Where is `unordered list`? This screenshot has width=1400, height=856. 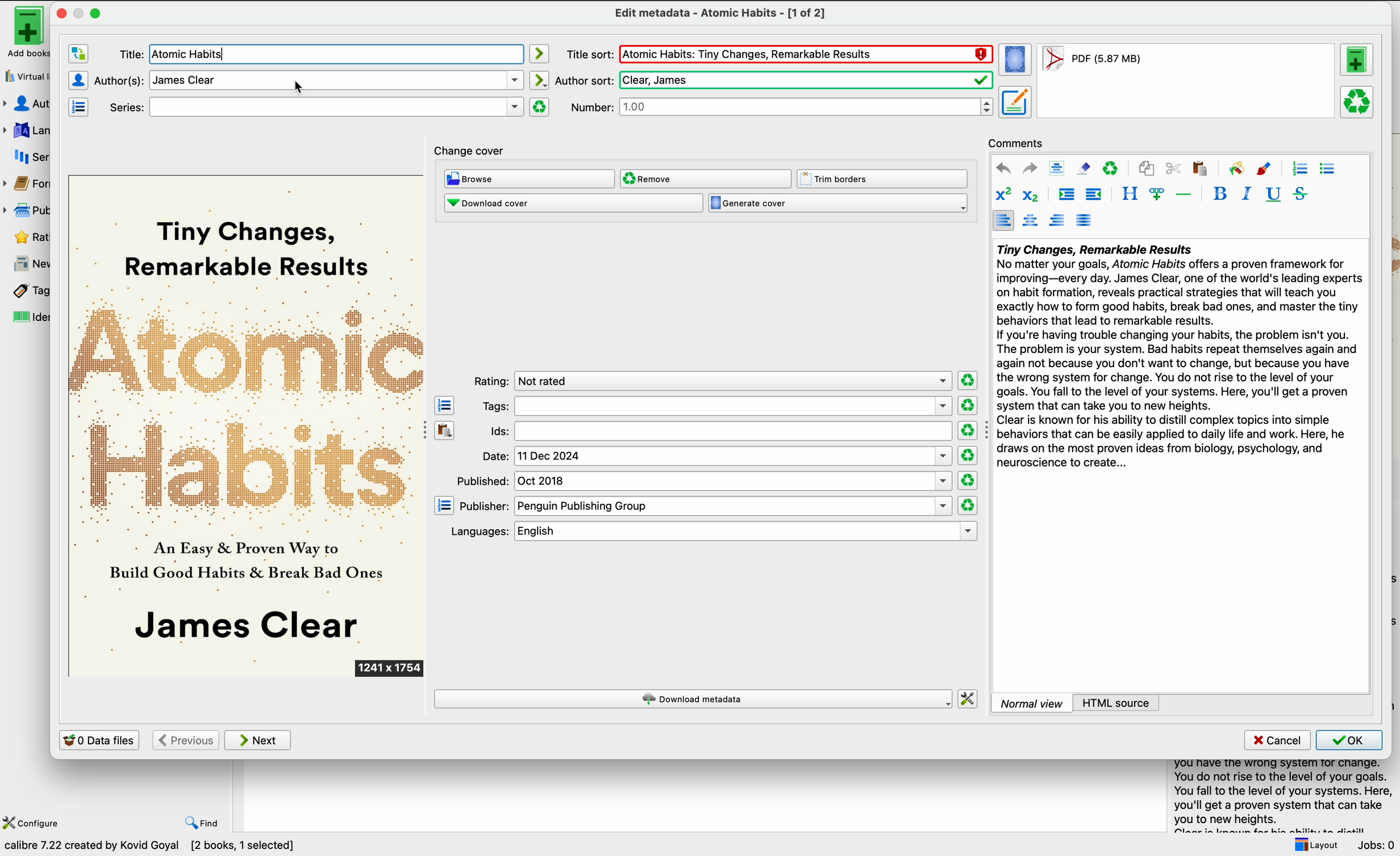
unordered list is located at coordinates (1328, 169).